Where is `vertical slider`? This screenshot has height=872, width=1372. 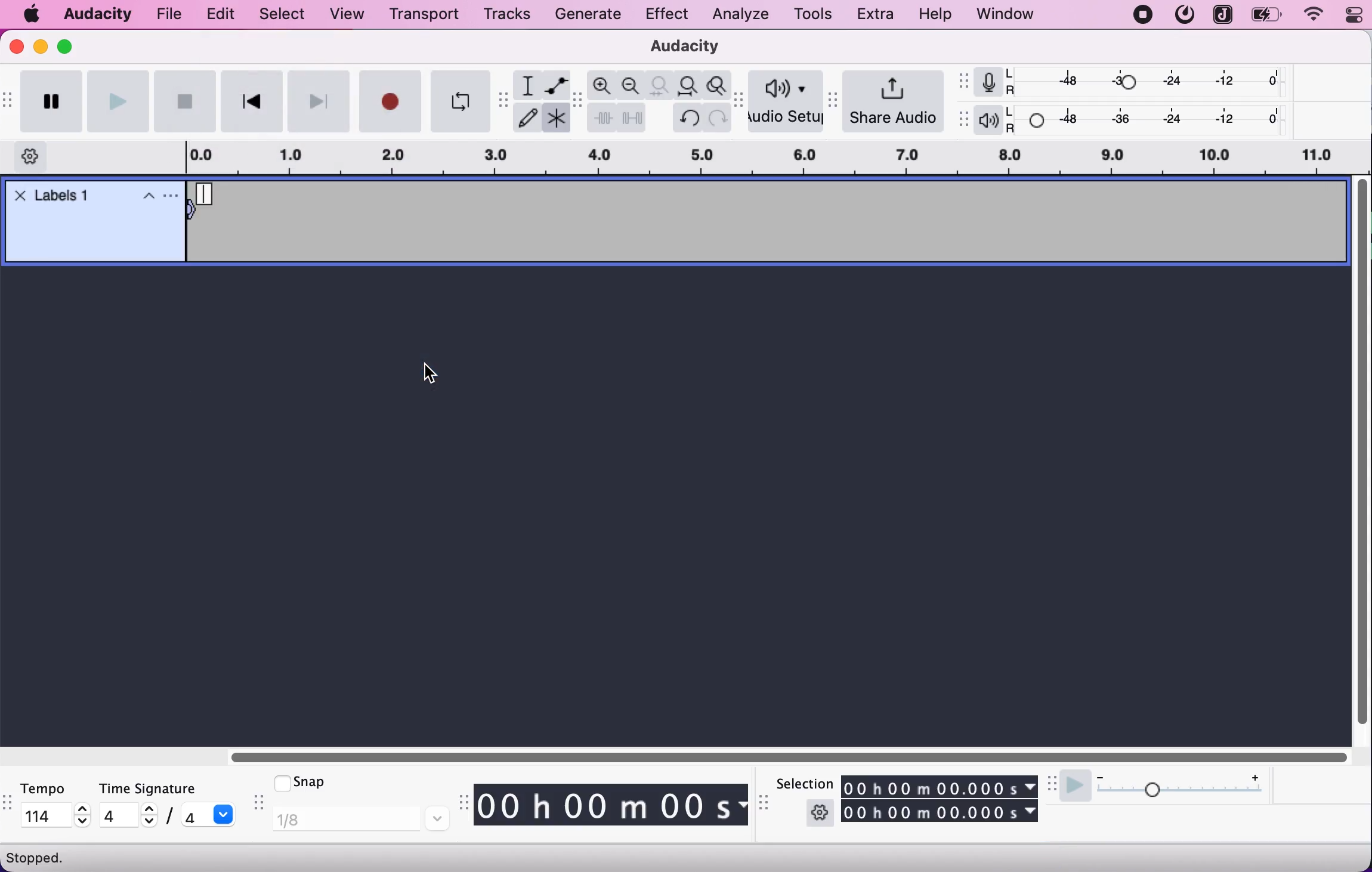 vertical slider is located at coordinates (1361, 454).